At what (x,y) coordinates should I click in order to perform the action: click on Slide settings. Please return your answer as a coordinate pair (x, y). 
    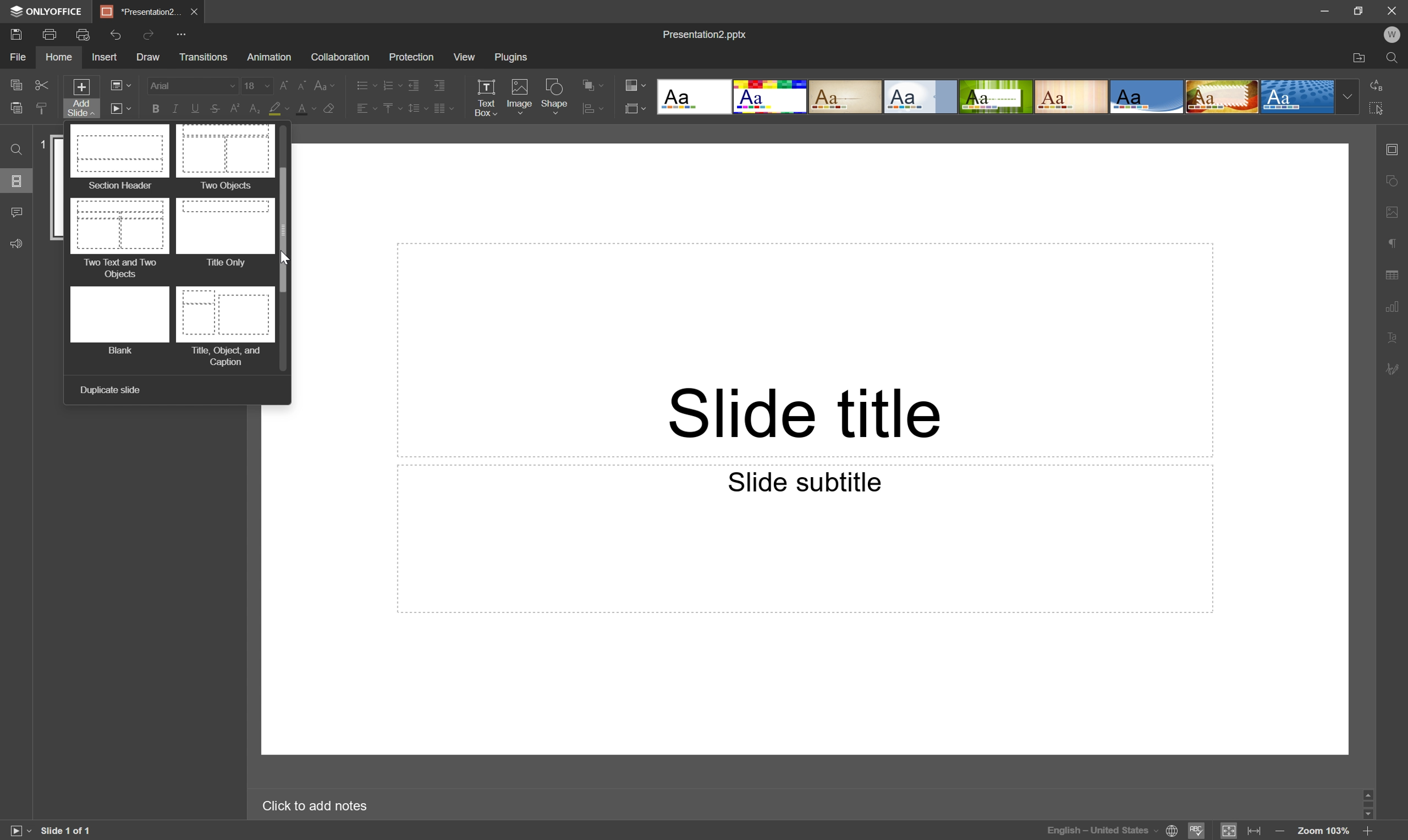
    Looking at the image, I should click on (1396, 147).